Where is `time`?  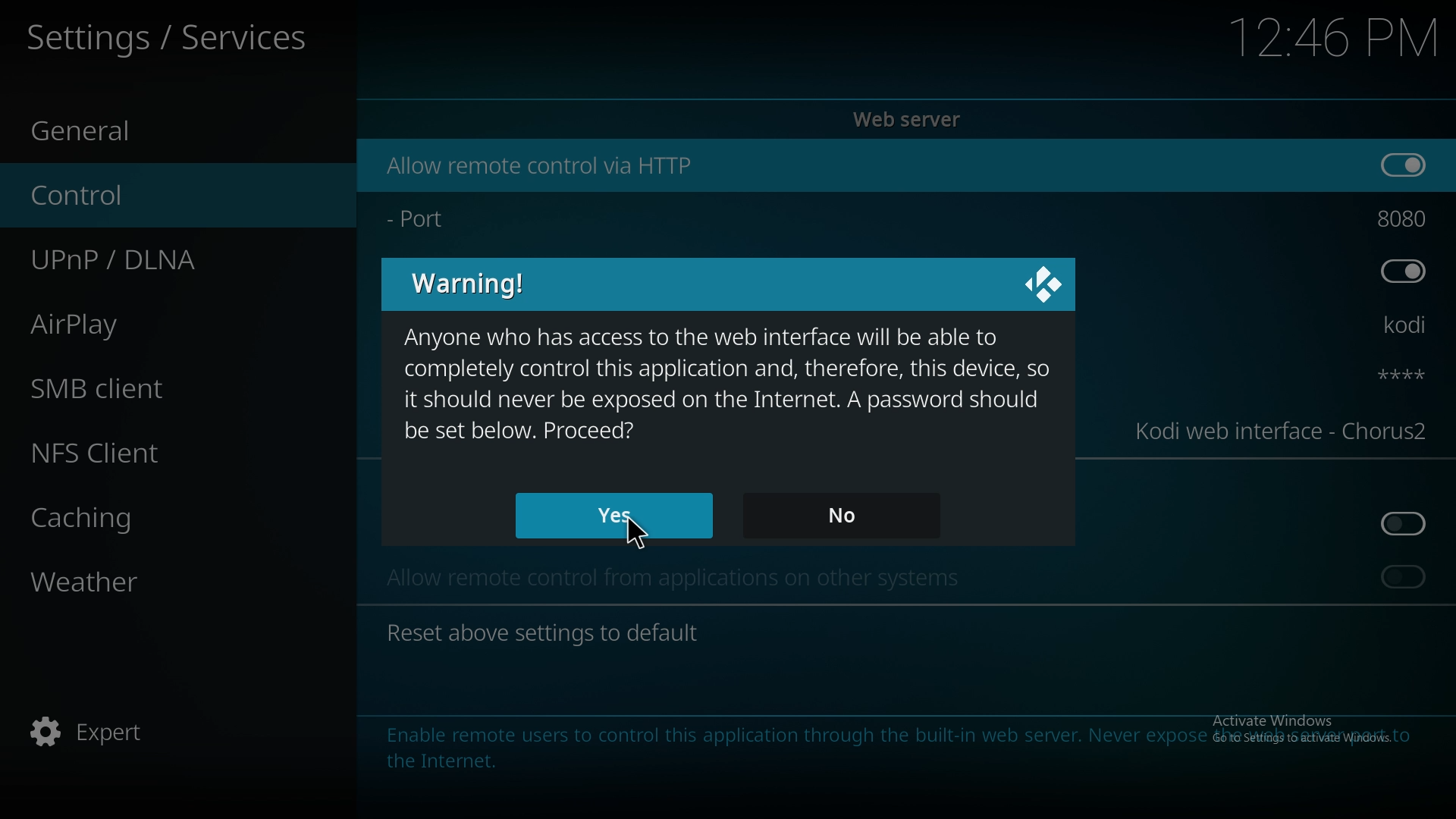
time is located at coordinates (1331, 37).